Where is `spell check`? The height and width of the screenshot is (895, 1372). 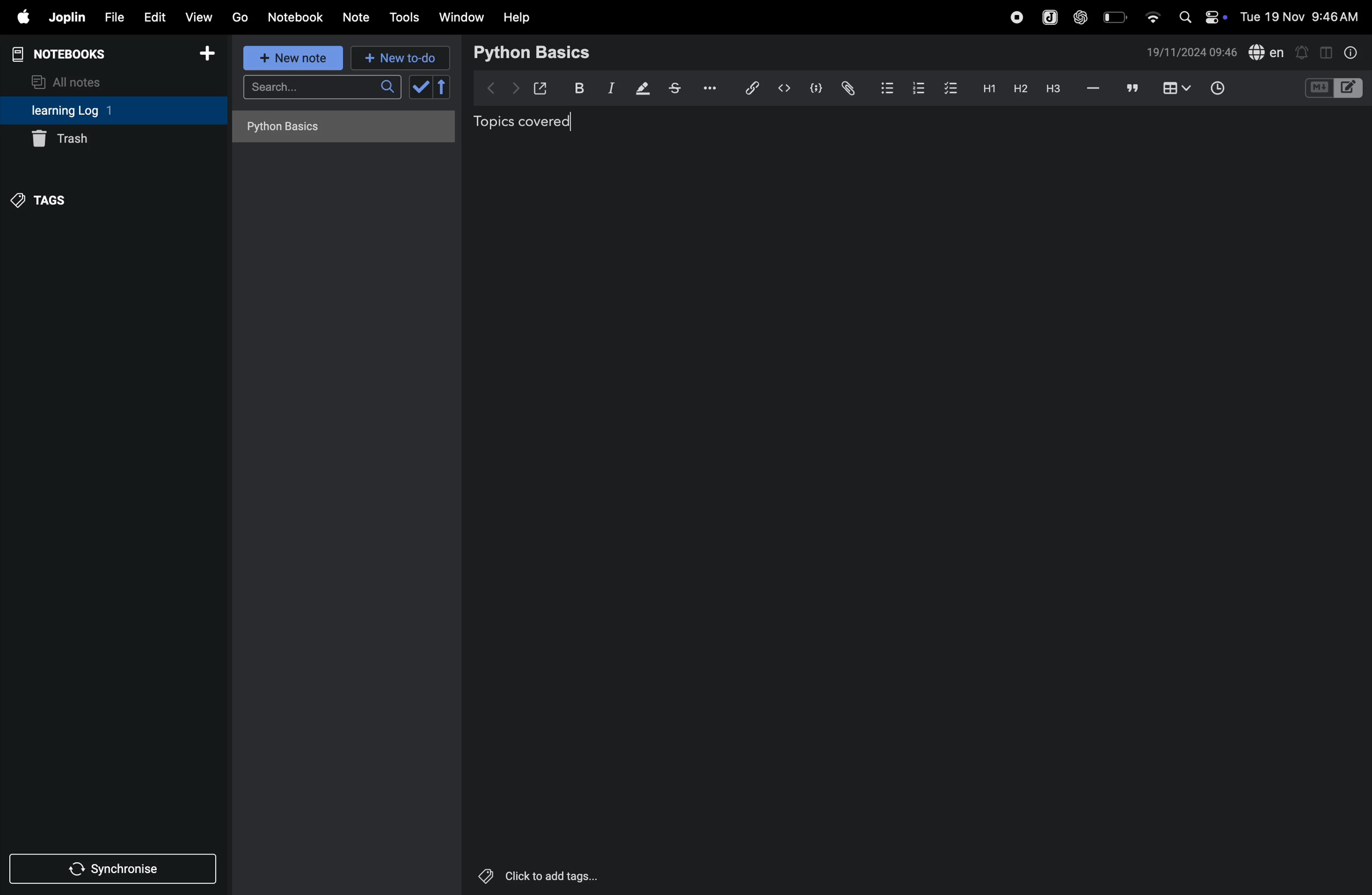
spell check is located at coordinates (1267, 53).